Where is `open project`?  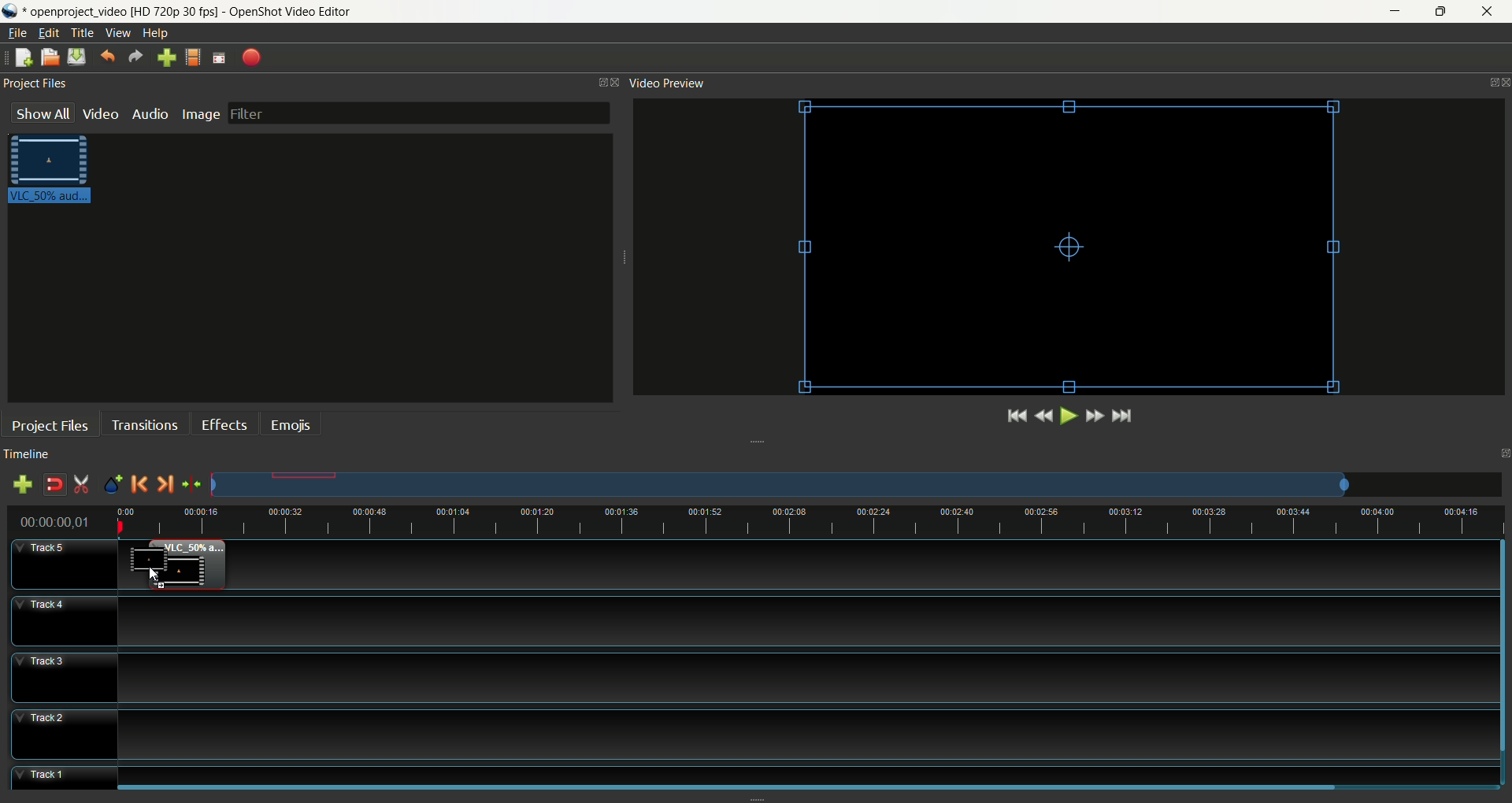 open project is located at coordinates (50, 57).